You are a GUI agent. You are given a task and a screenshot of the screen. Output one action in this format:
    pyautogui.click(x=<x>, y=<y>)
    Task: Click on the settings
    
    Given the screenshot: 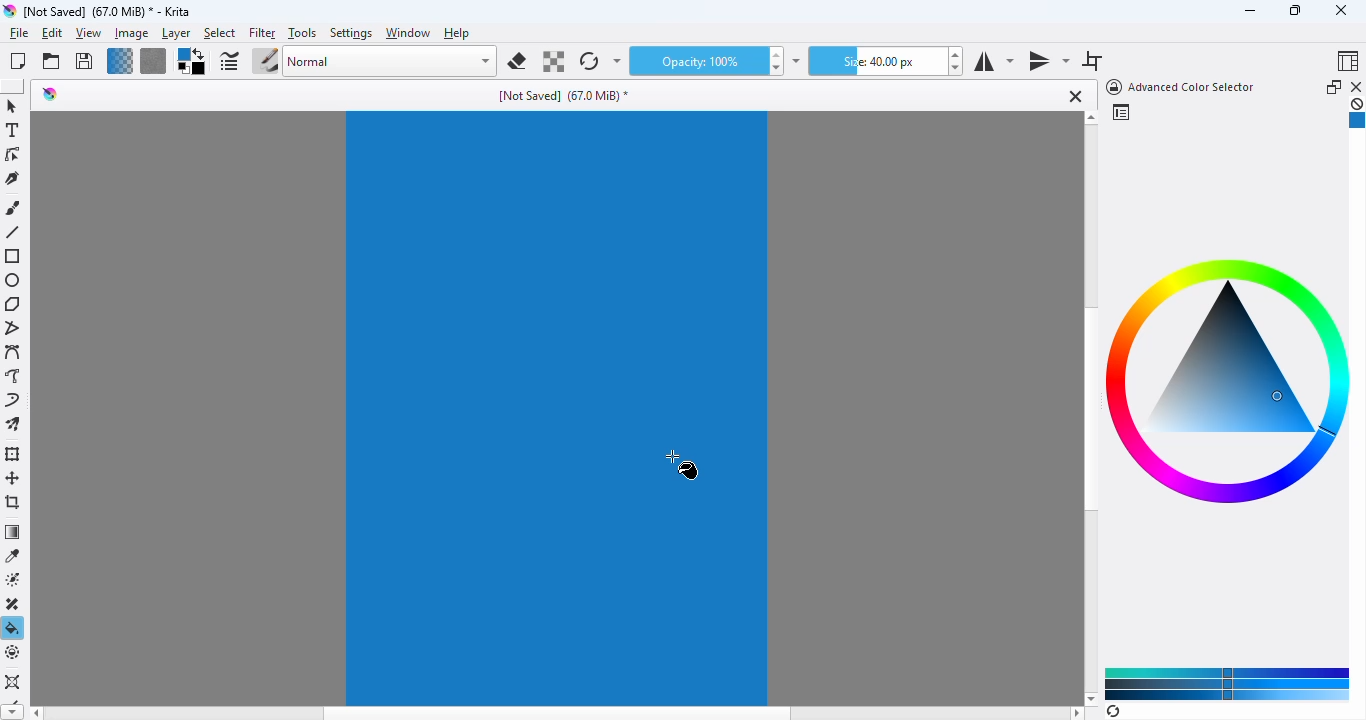 What is the action you would take?
    pyautogui.click(x=352, y=34)
    